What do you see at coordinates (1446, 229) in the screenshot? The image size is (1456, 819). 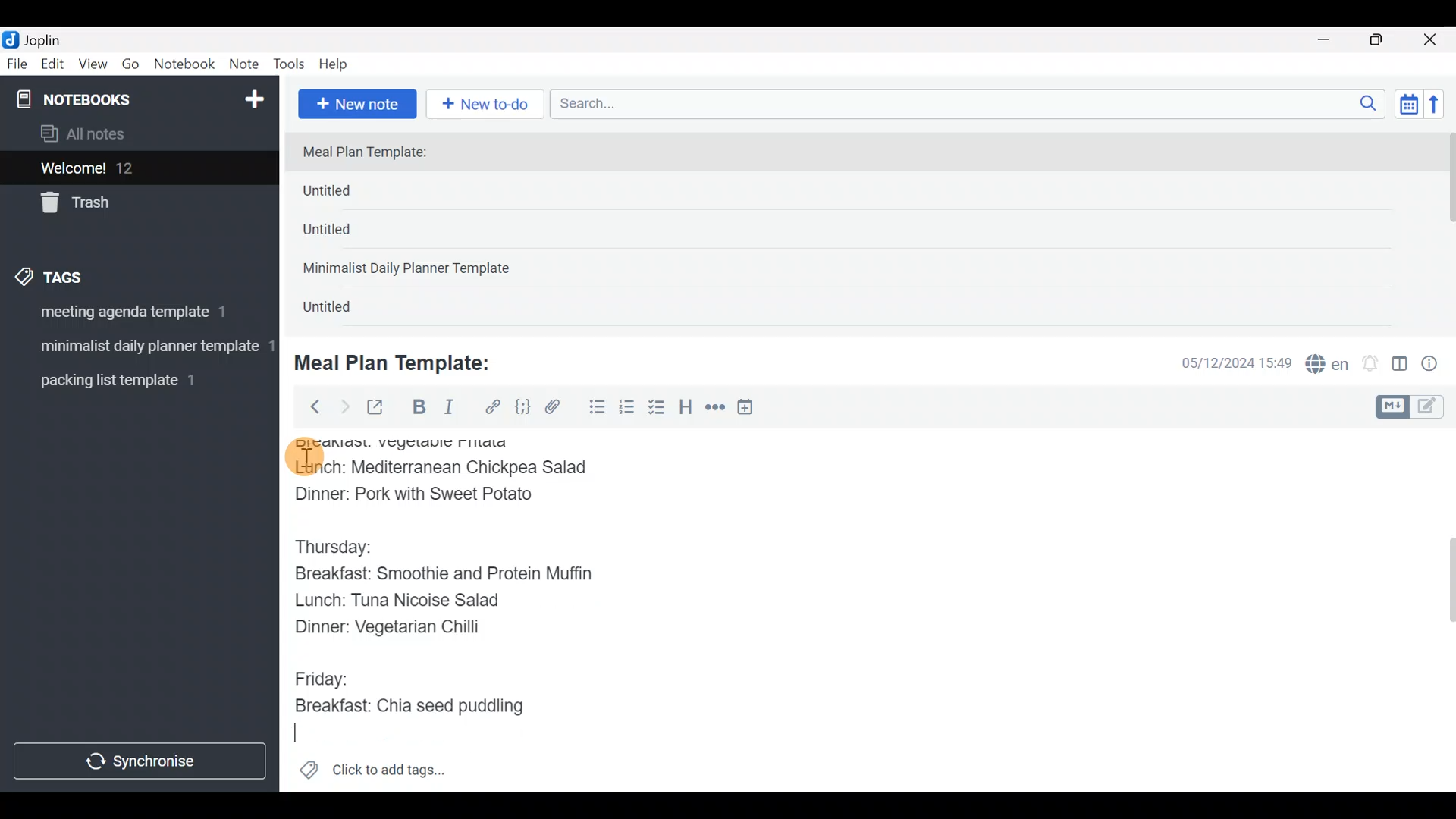 I see `scroll bar` at bounding box center [1446, 229].